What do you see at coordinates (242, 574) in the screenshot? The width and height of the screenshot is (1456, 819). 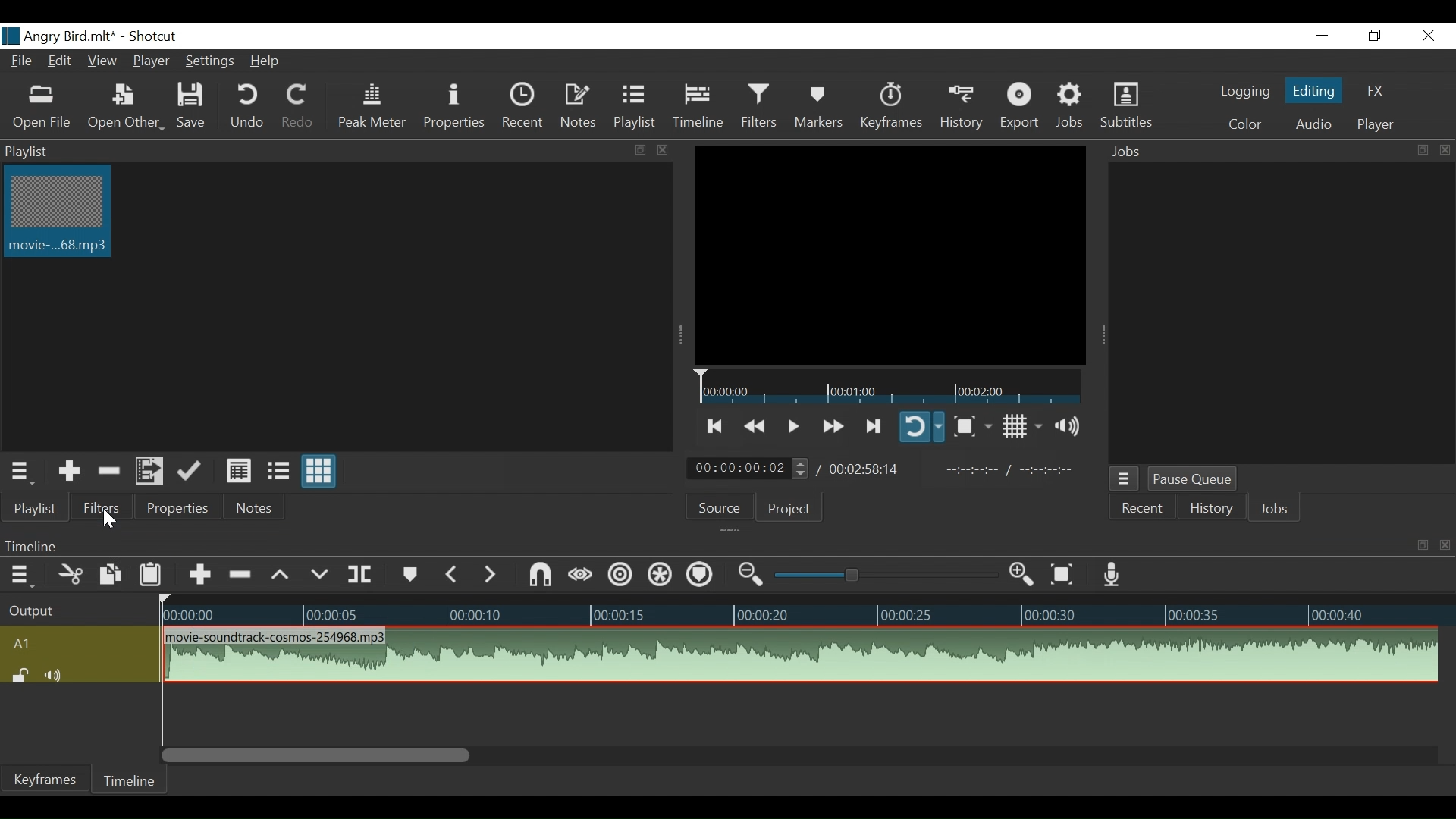 I see `Ripple Delete` at bounding box center [242, 574].